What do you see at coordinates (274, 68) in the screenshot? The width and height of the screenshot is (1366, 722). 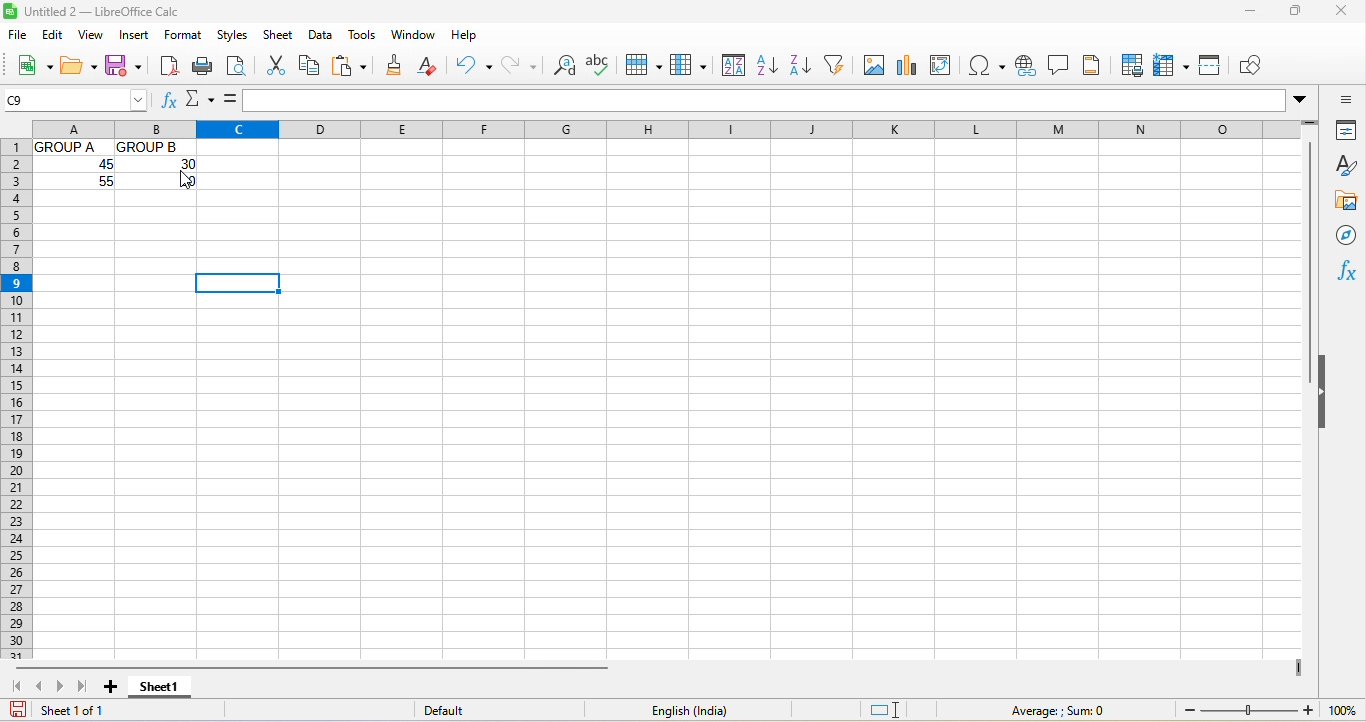 I see `cut` at bounding box center [274, 68].